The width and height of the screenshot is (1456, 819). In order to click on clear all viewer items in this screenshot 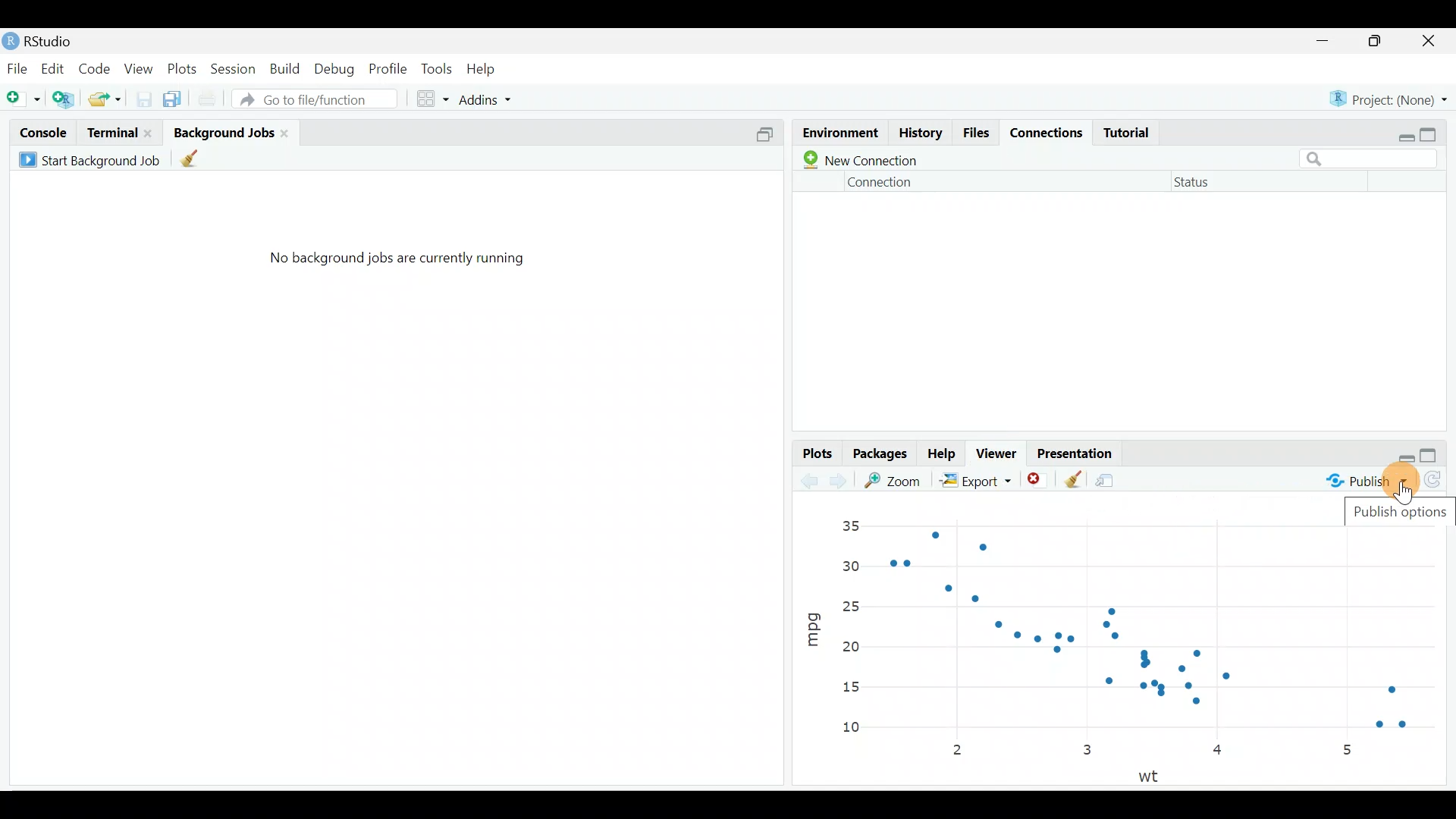, I will do `click(1073, 477)`.